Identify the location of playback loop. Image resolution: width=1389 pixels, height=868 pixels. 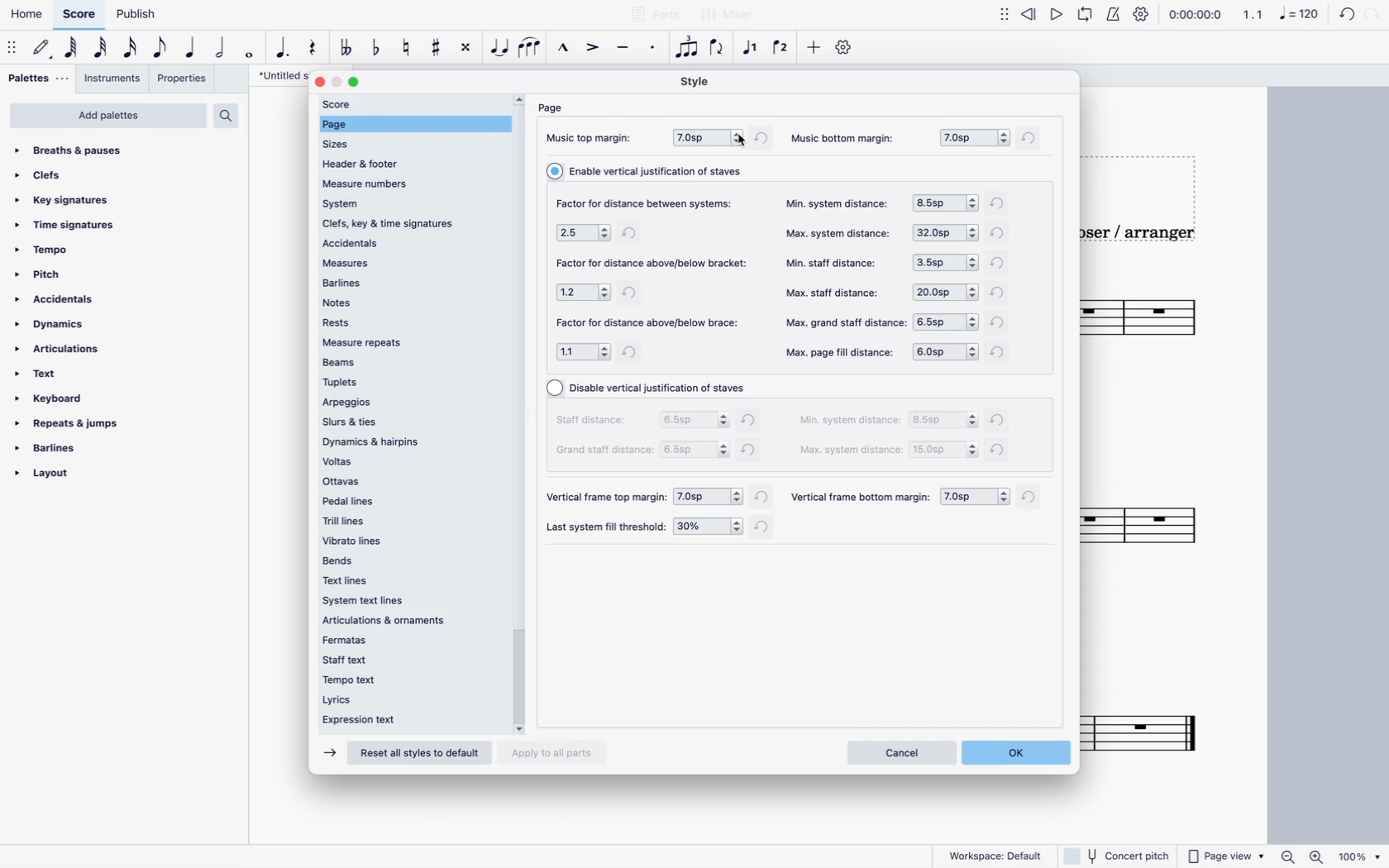
(1088, 17).